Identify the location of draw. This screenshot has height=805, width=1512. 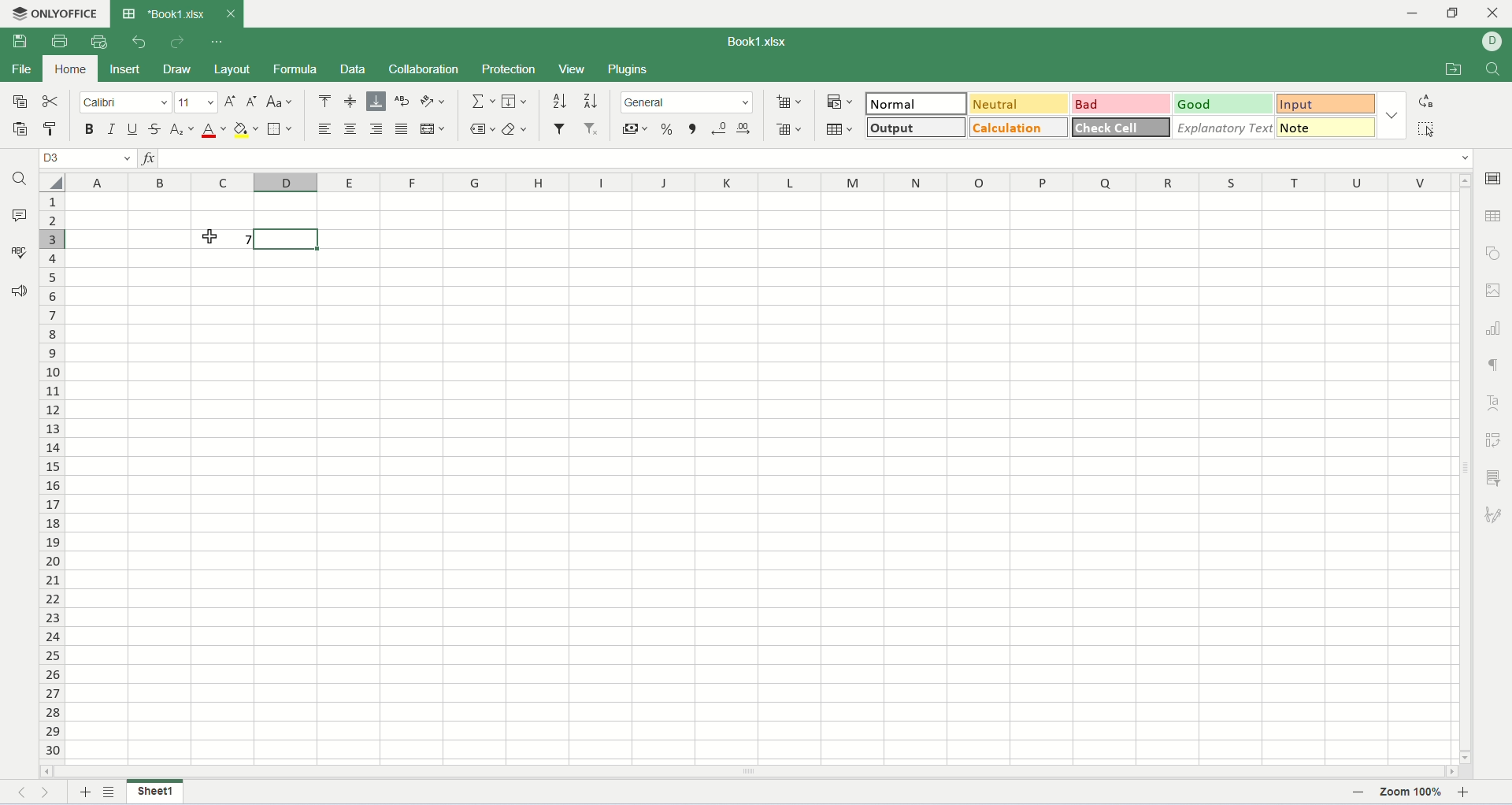
(180, 69).